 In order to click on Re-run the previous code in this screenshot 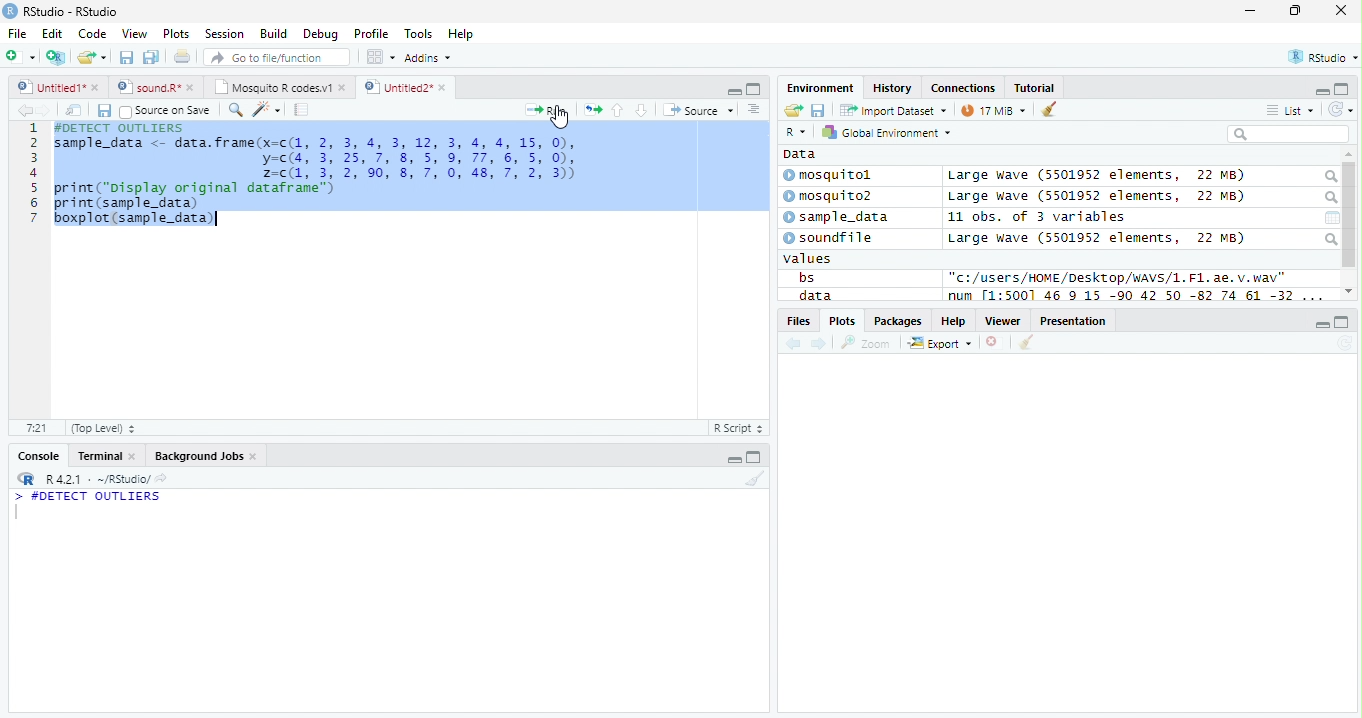, I will do `click(592, 110)`.